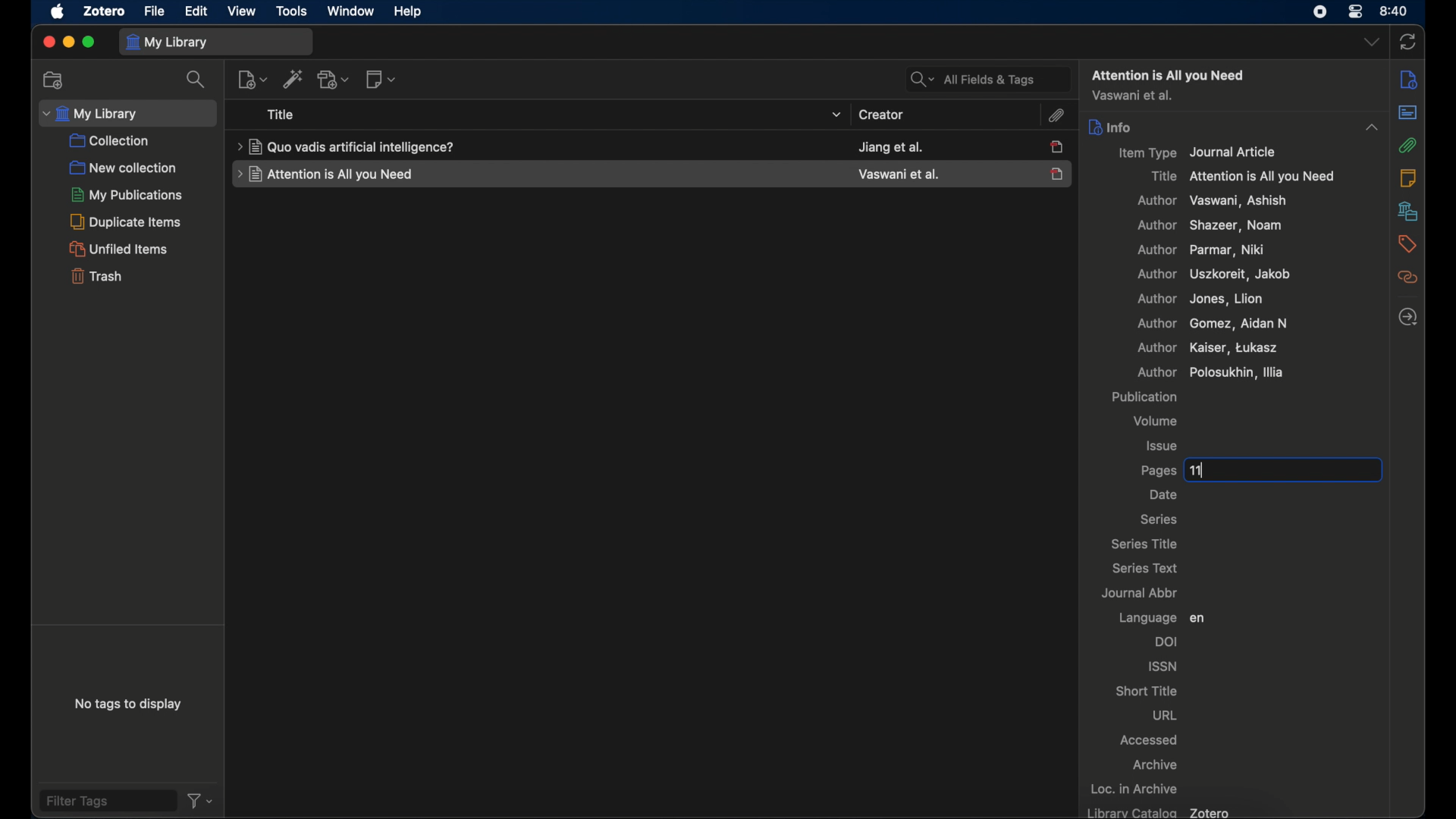 The image size is (1456, 819). What do you see at coordinates (1144, 397) in the screenshot?
I see `publication` at bounding box center [1144, 397].